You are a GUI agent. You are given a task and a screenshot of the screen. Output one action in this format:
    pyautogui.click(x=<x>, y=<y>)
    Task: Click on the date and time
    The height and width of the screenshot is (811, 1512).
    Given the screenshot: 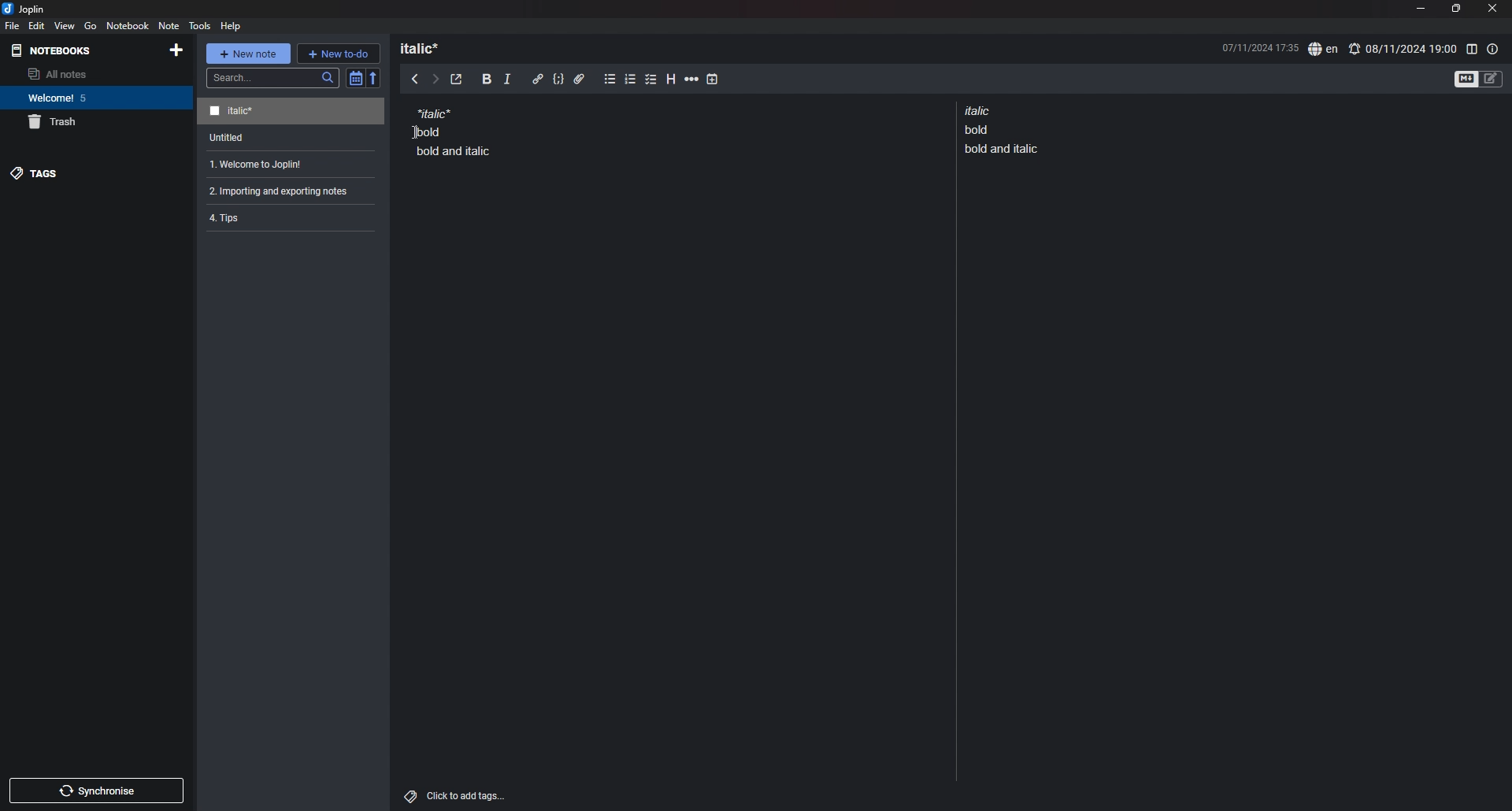 What is the action you would take?
    pyautogui.click(x=1259, y=46)
    